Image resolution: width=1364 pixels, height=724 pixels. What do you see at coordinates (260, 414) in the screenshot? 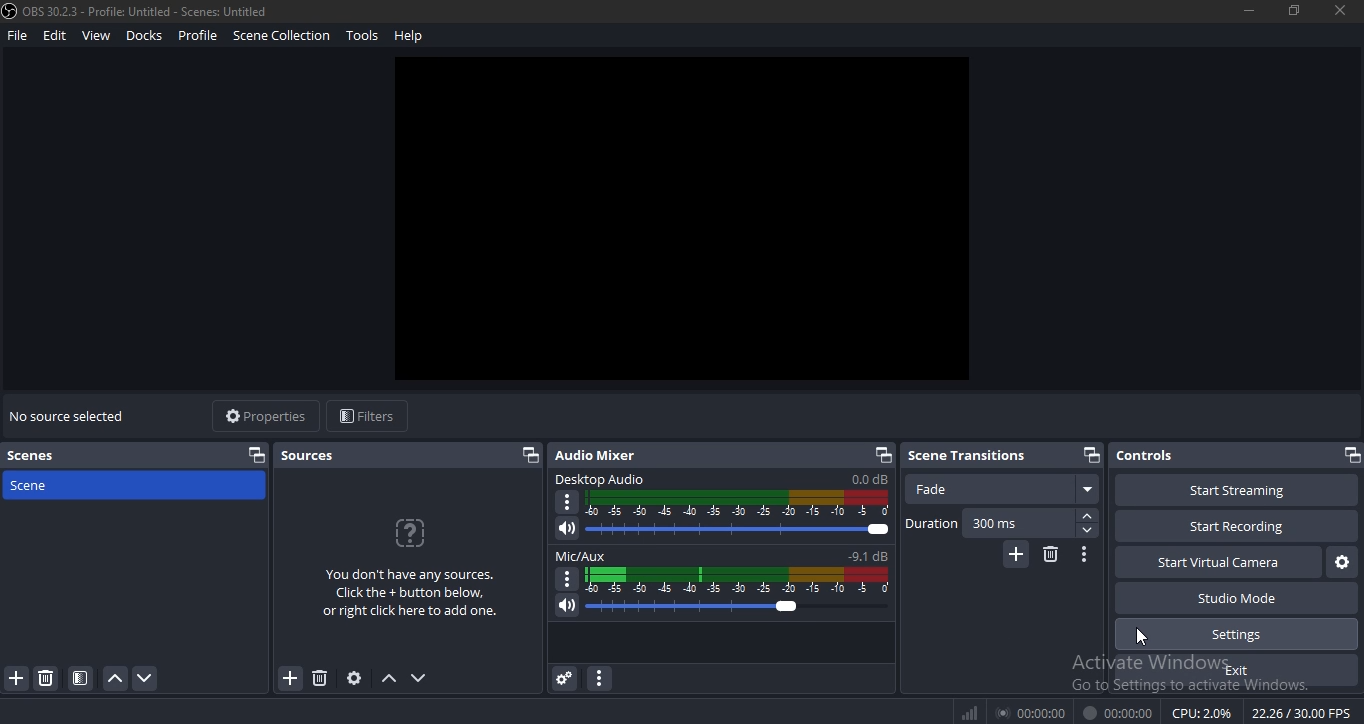
I see `properties` at bounding box center [260, 414].